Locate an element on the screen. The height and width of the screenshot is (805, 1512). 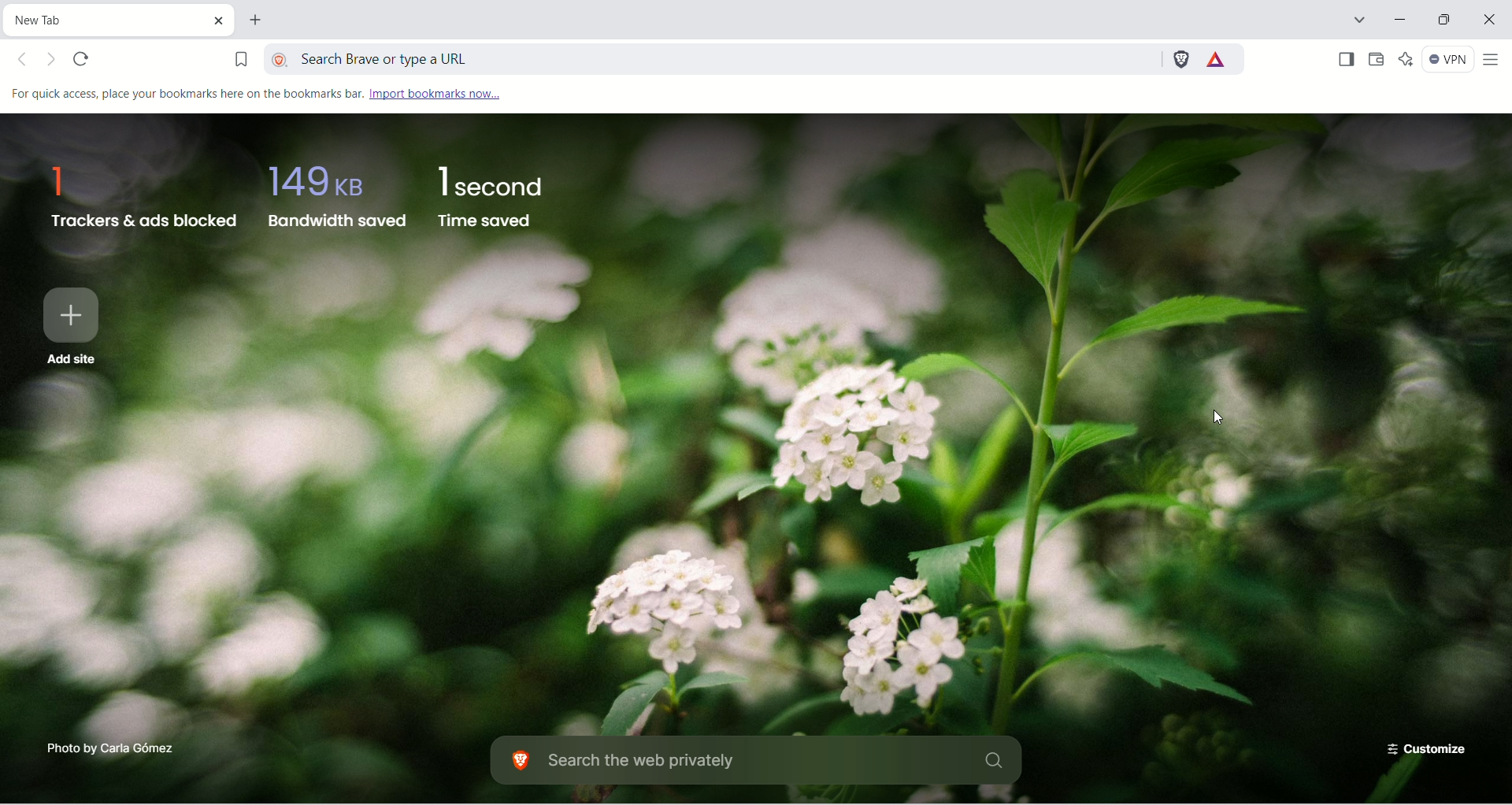
leo AI is located at coordinates (1411, 61).